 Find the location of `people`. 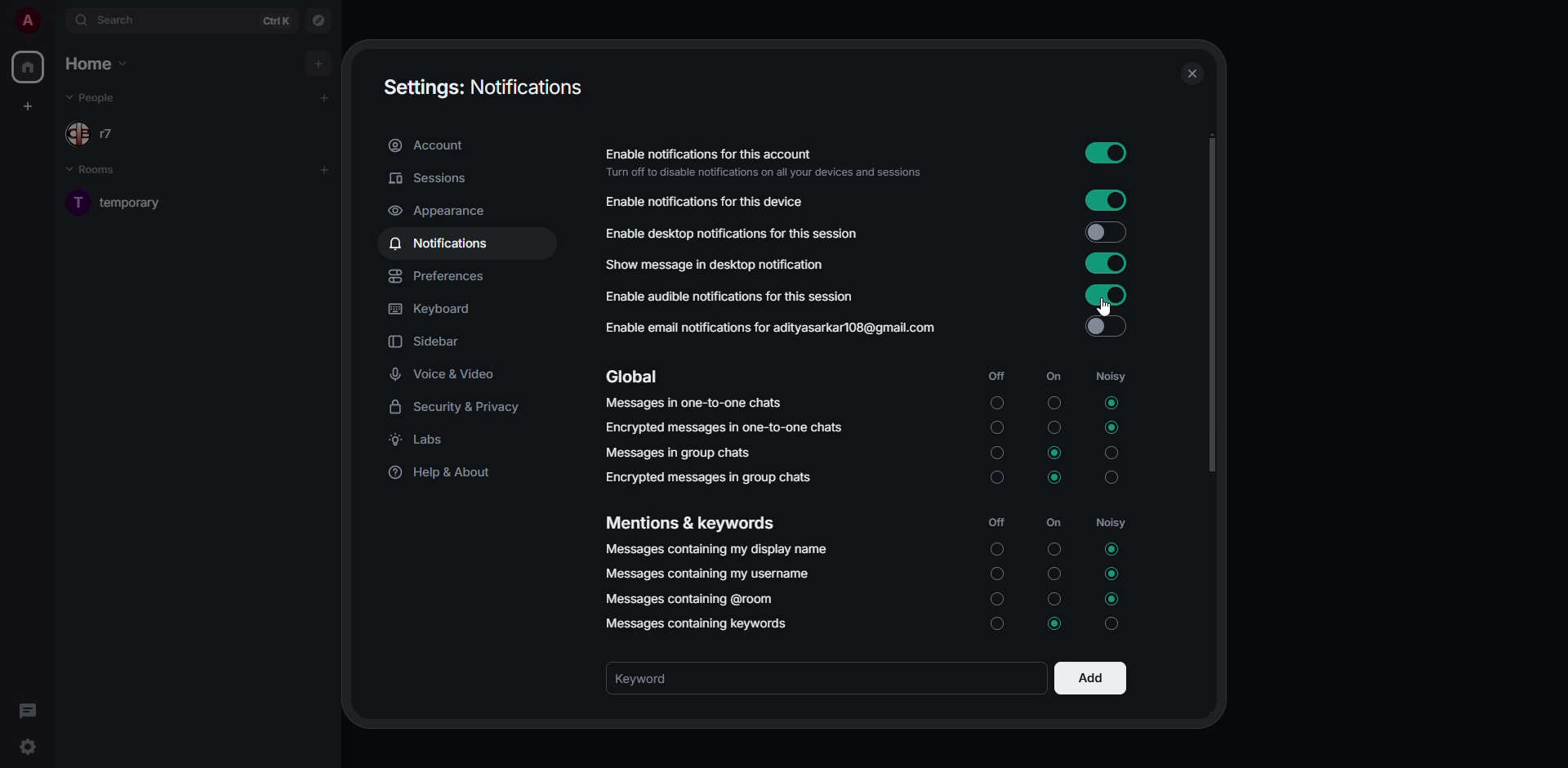

people is located at coordinates (98, 134).